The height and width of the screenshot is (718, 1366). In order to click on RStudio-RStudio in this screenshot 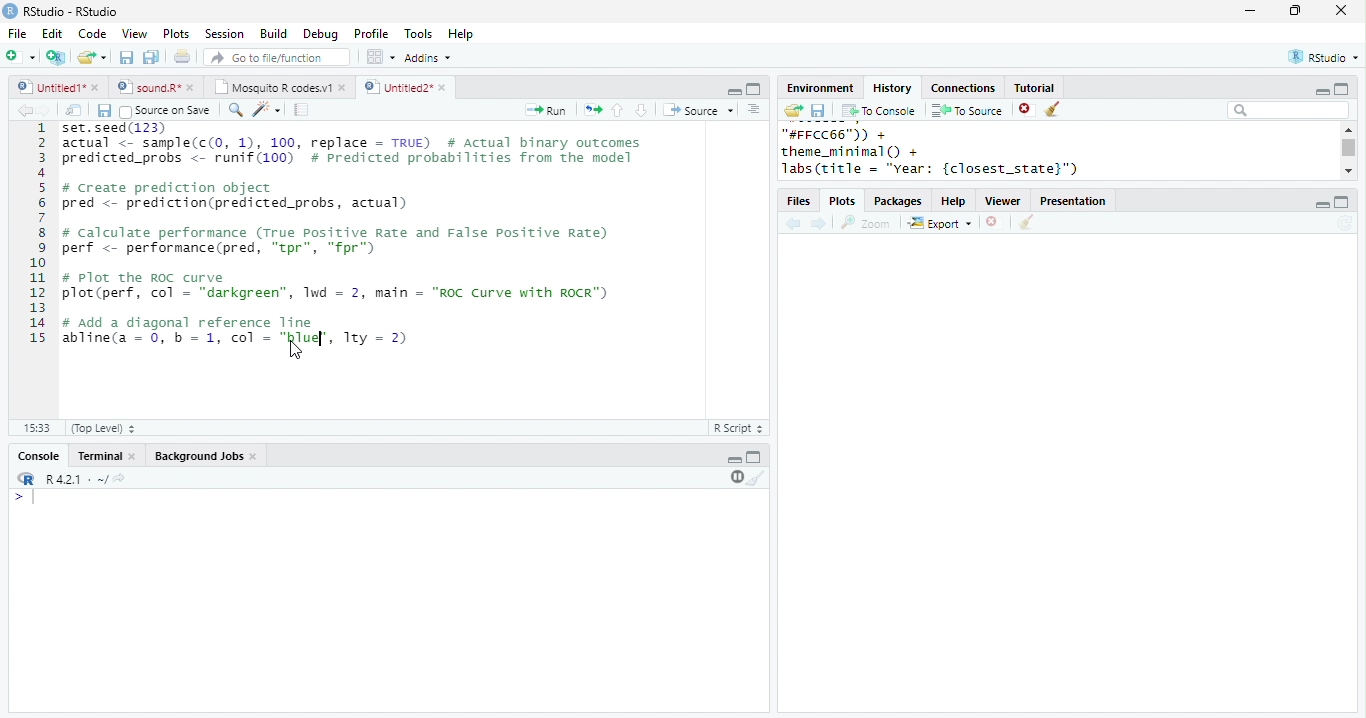, I will do `click(75, 12)`.